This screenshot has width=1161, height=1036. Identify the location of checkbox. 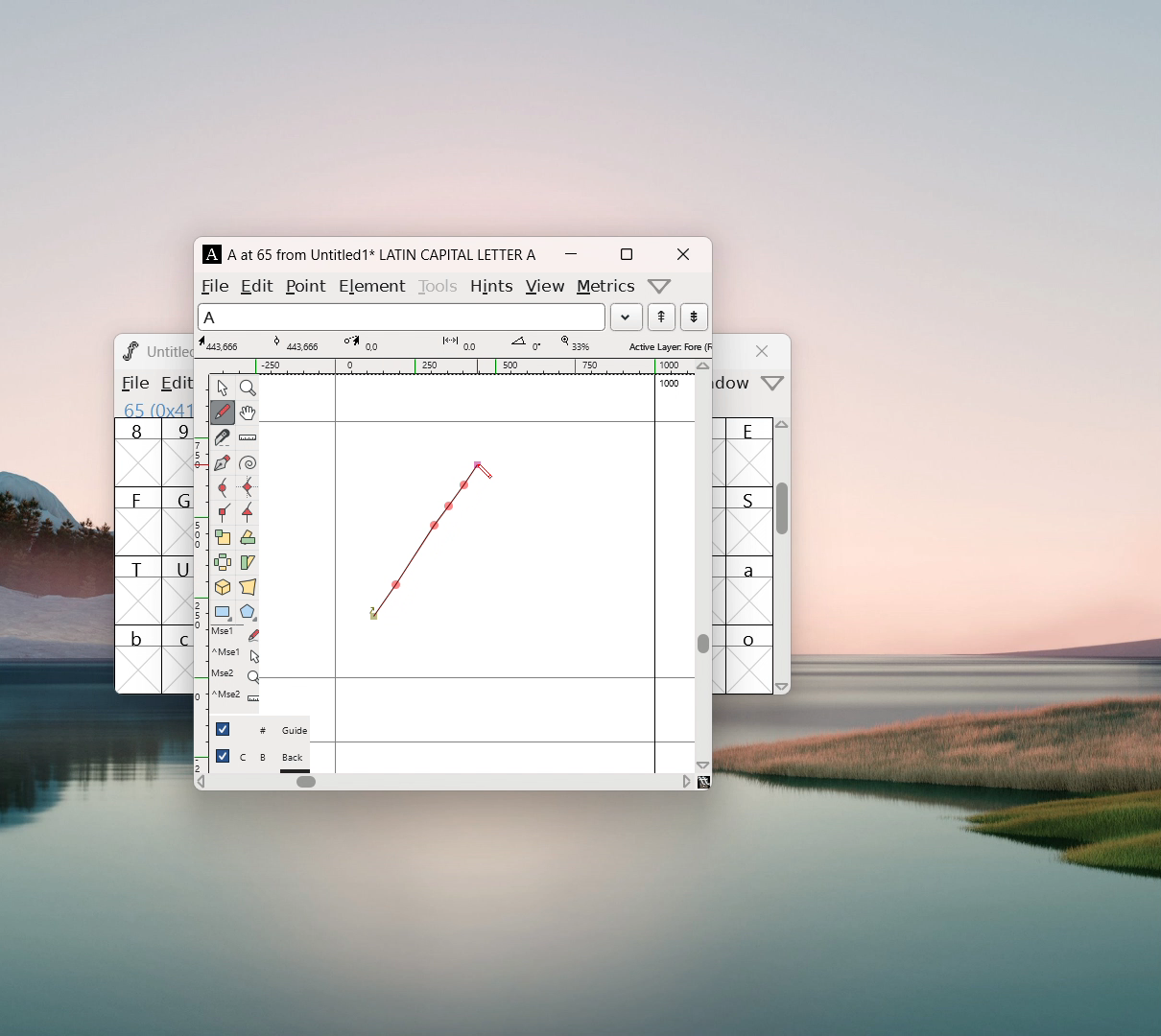
(223, 756).